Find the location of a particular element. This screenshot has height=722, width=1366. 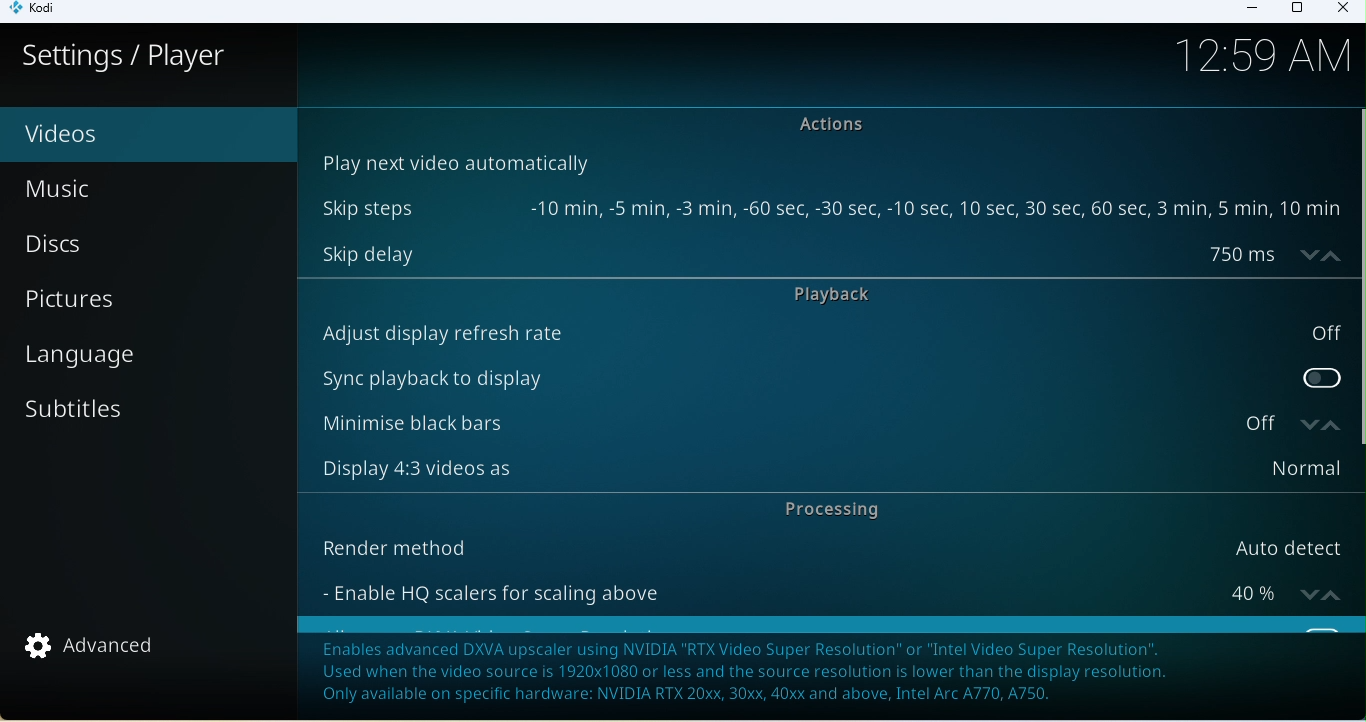

Skip steps is located at coordinates (828, 209).